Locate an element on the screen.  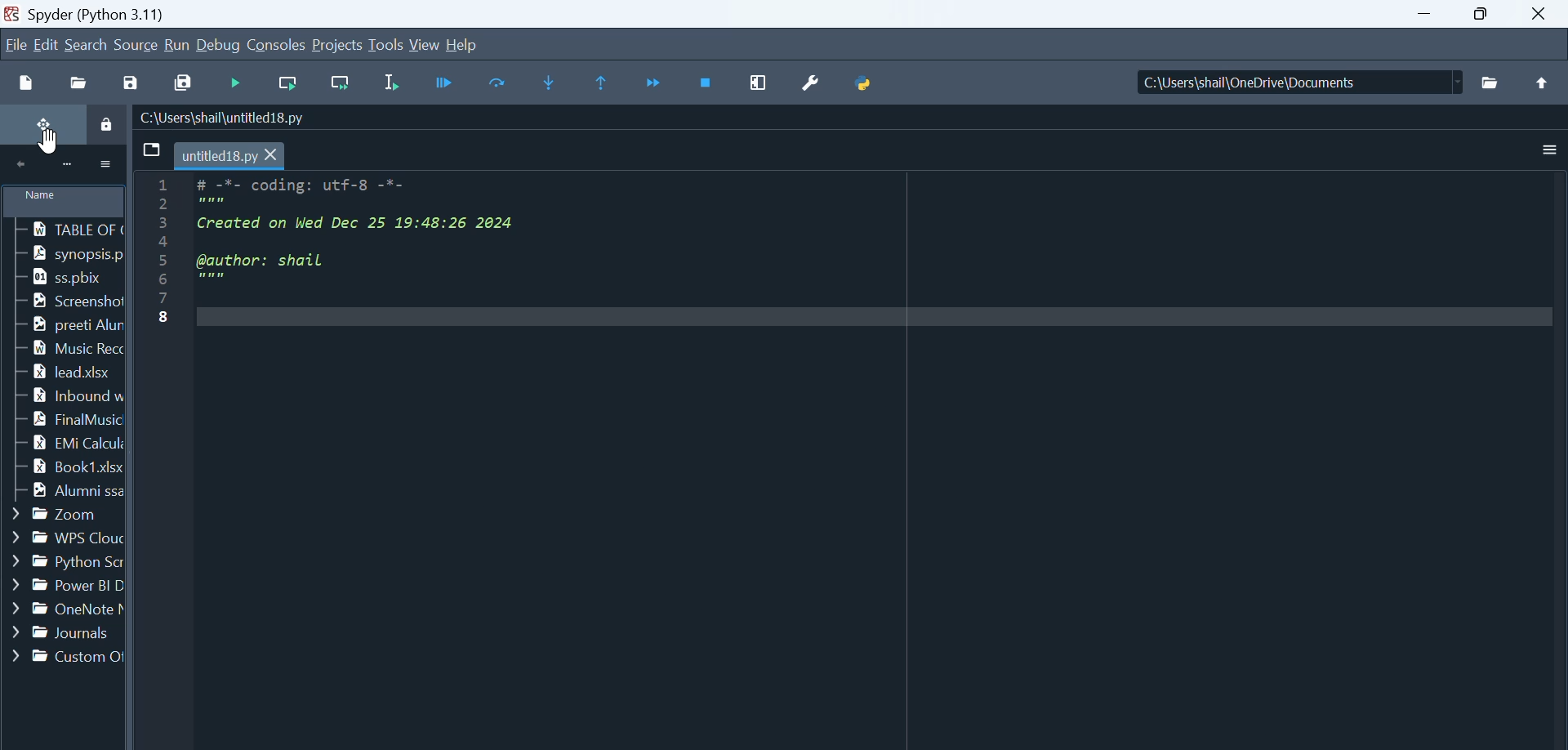
Inbound w.. is located at coordinates (60, 395).